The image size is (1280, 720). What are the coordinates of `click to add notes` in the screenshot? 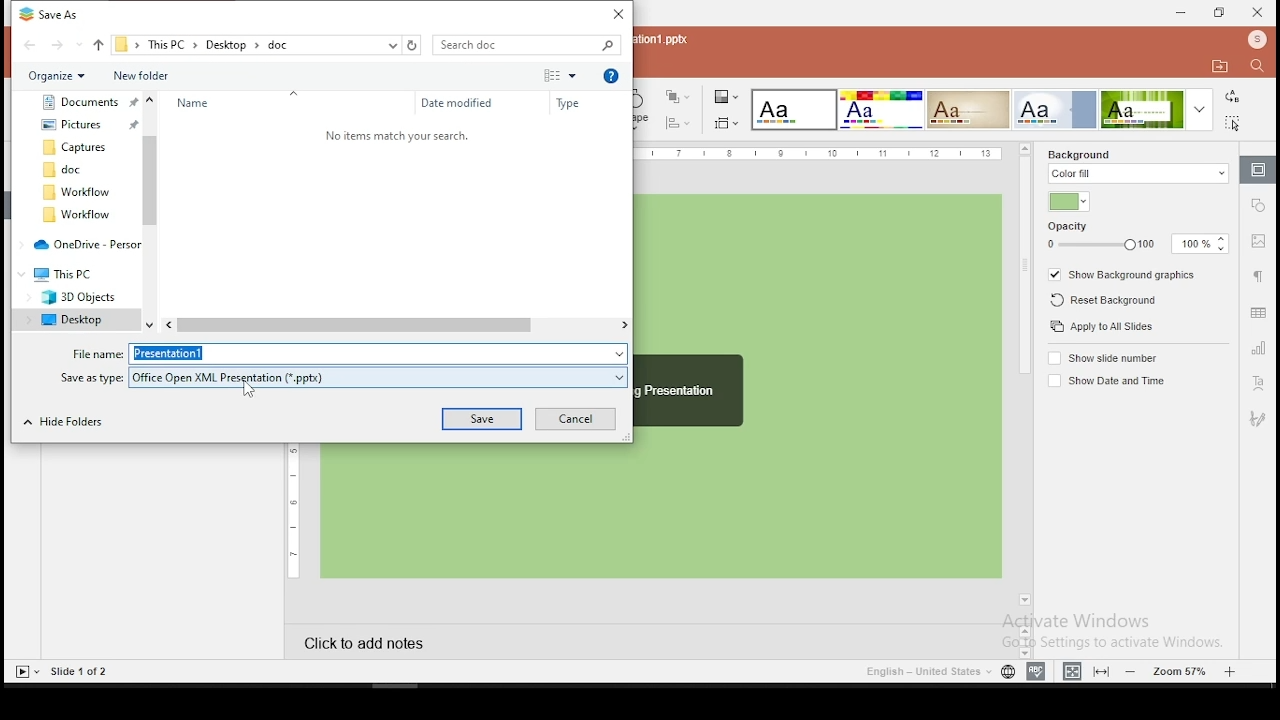 It's located at (435, 645).